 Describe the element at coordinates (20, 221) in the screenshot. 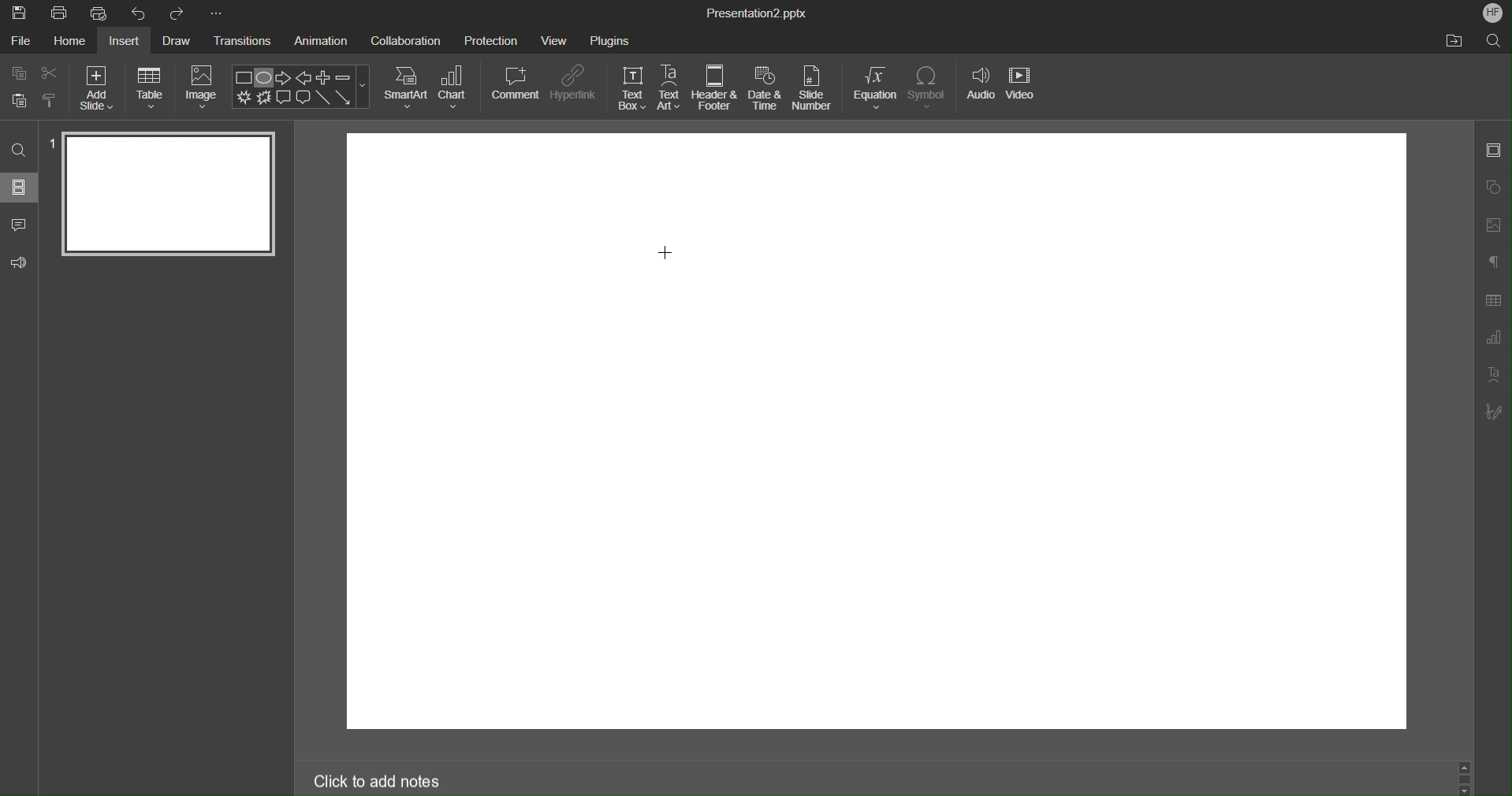

I see `Comment` at that location.